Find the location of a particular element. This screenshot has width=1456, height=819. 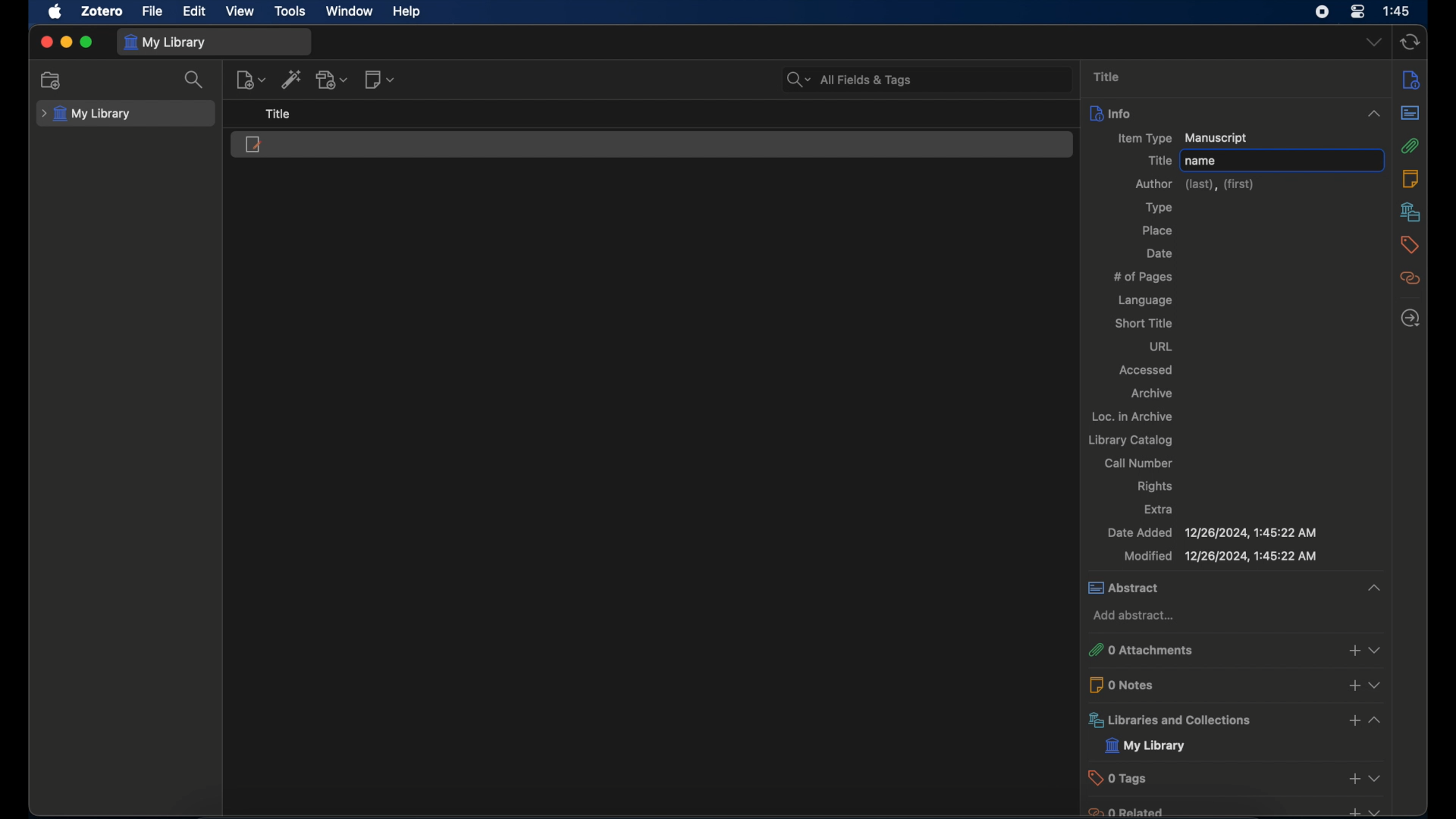

type is located at coordinates (1159, 208).